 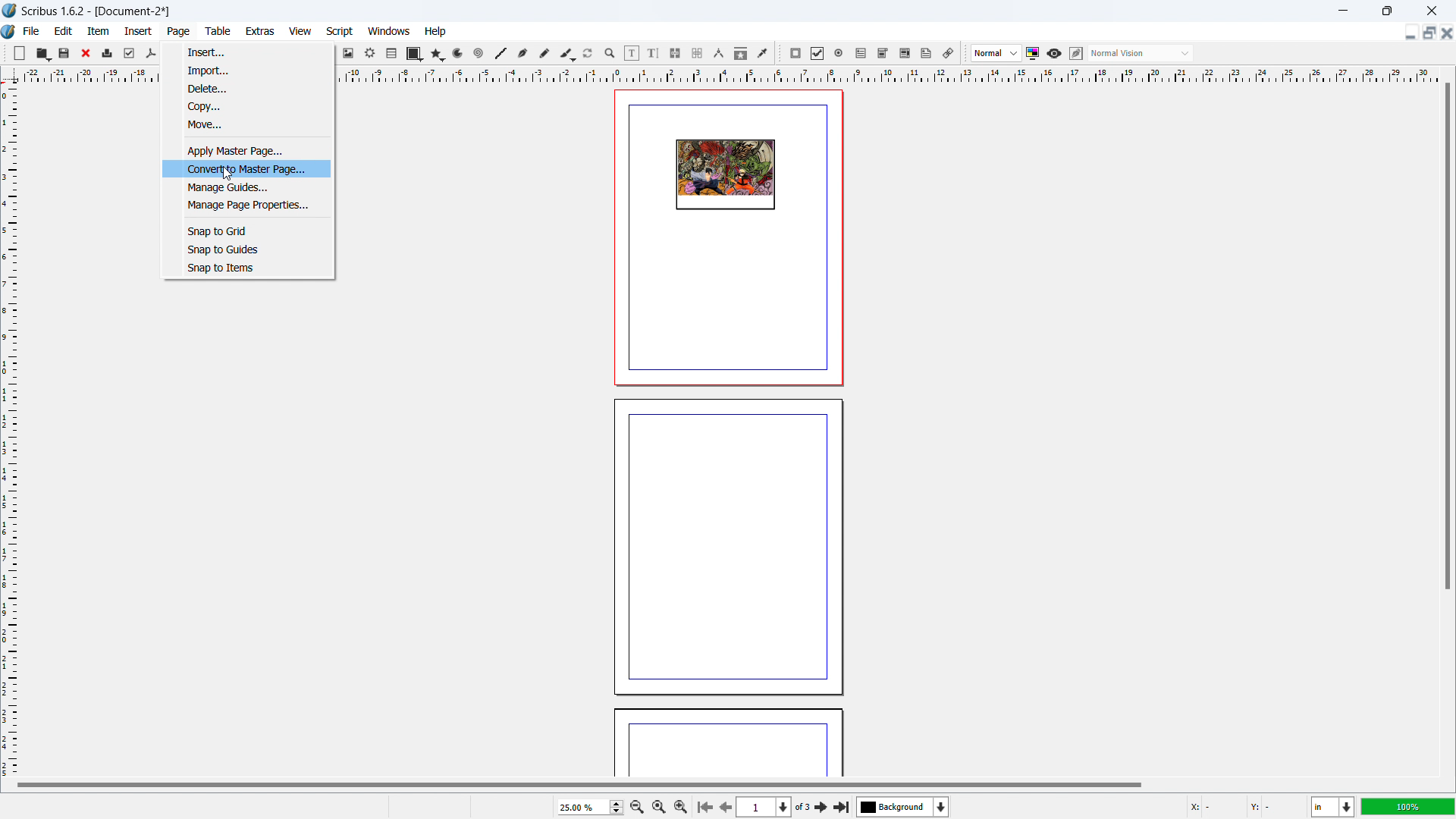 I want to click on new, so click(x=20, y=53).